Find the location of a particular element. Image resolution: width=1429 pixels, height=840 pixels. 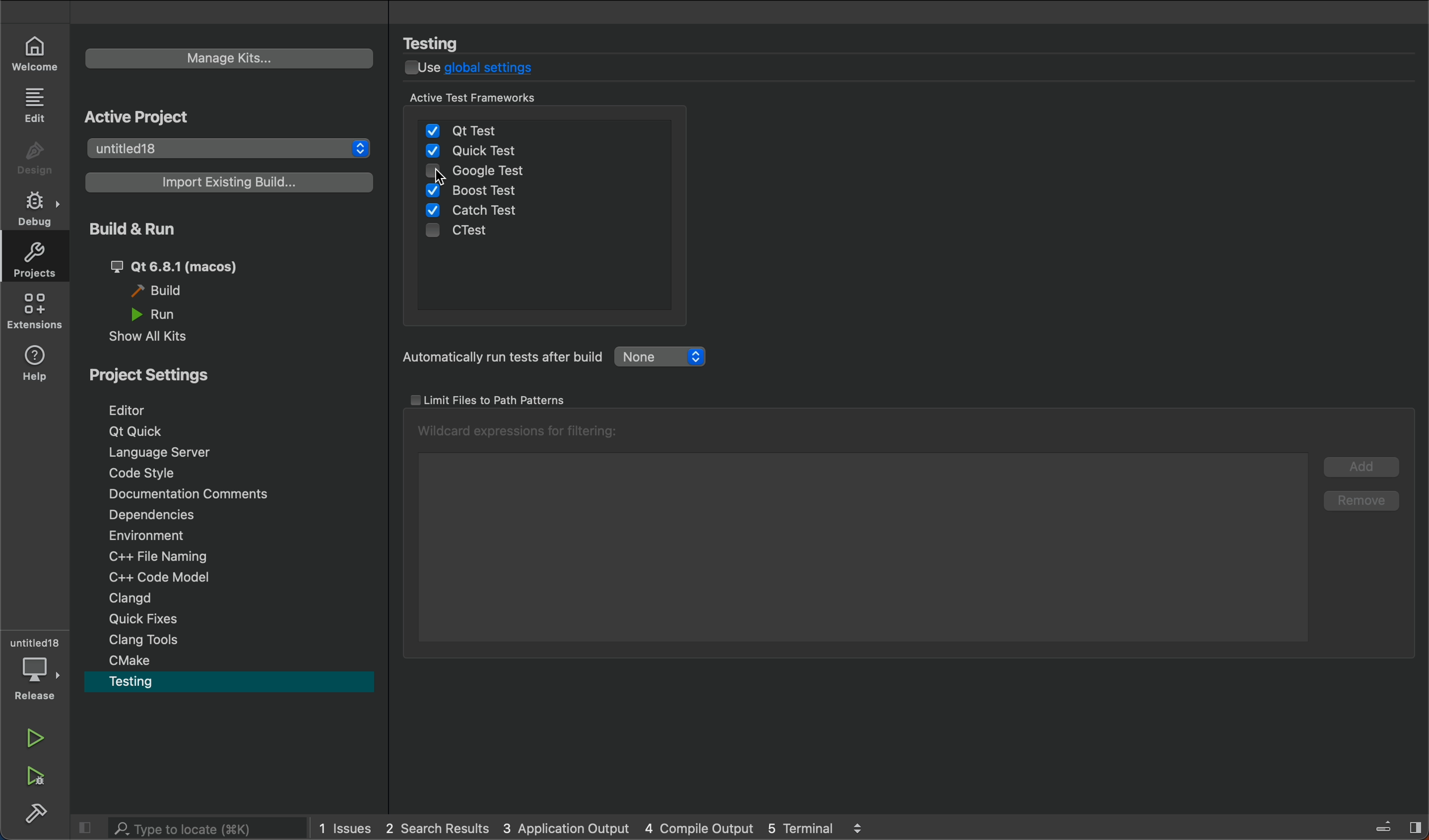

buikd is located at coordinates (32, 813).